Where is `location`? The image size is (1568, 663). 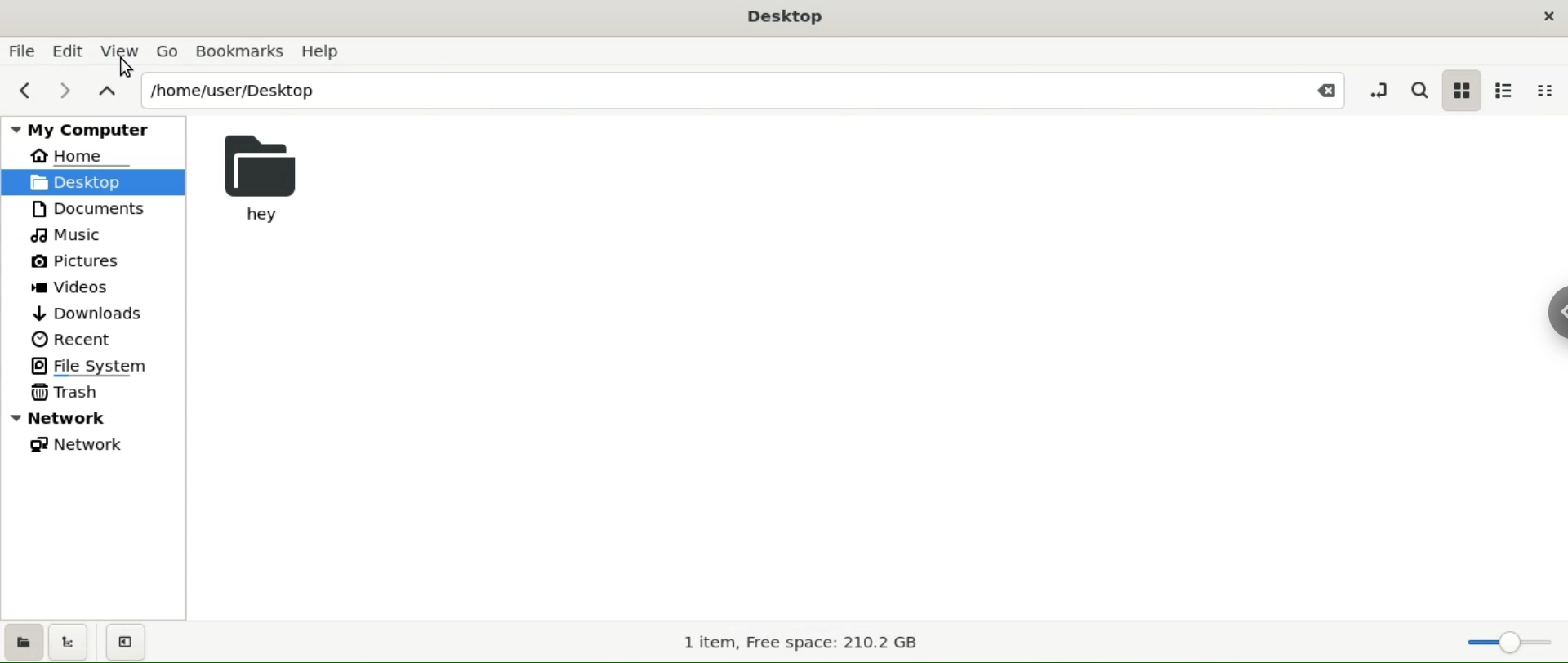
location is located at coordinates (715, 91).